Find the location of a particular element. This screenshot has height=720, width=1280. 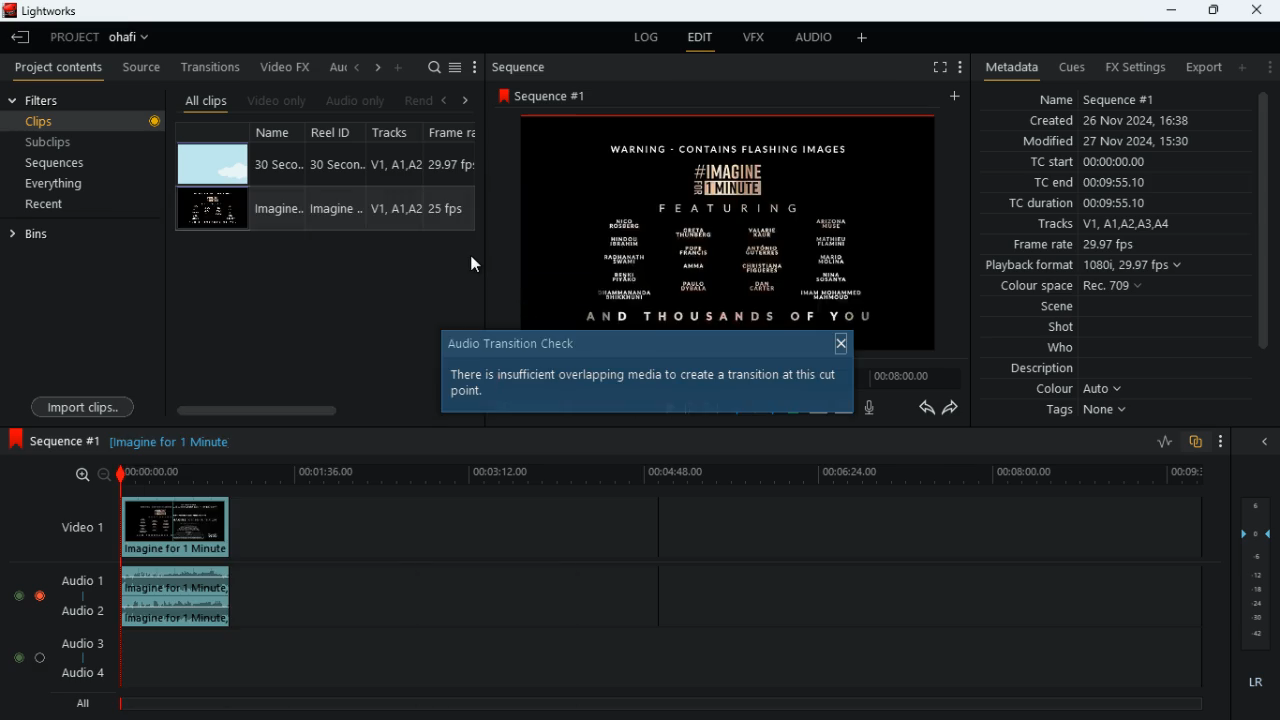

backward is located at coordinates (926, 407).